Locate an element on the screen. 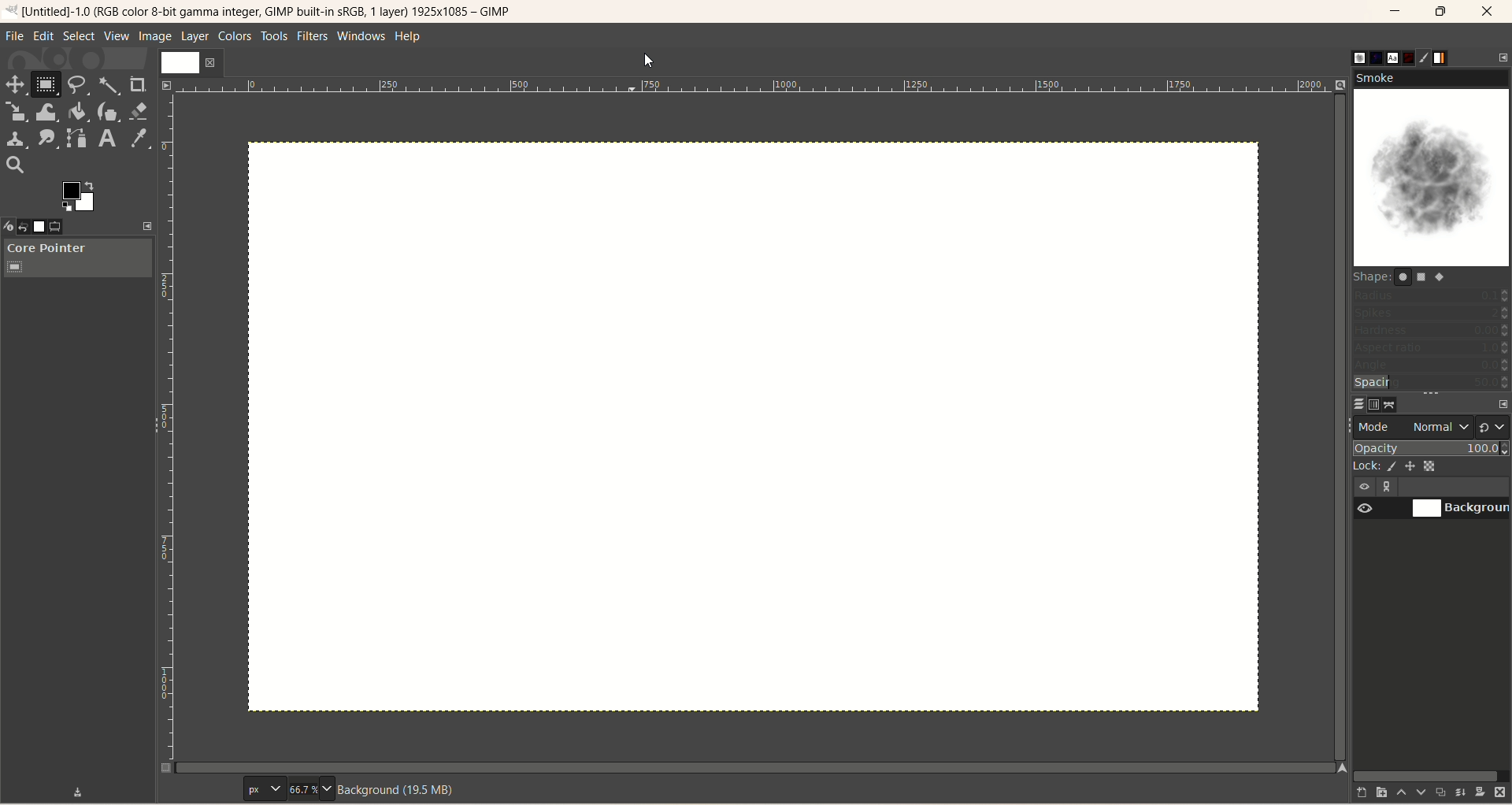  image is located at coordinates (156, 38).